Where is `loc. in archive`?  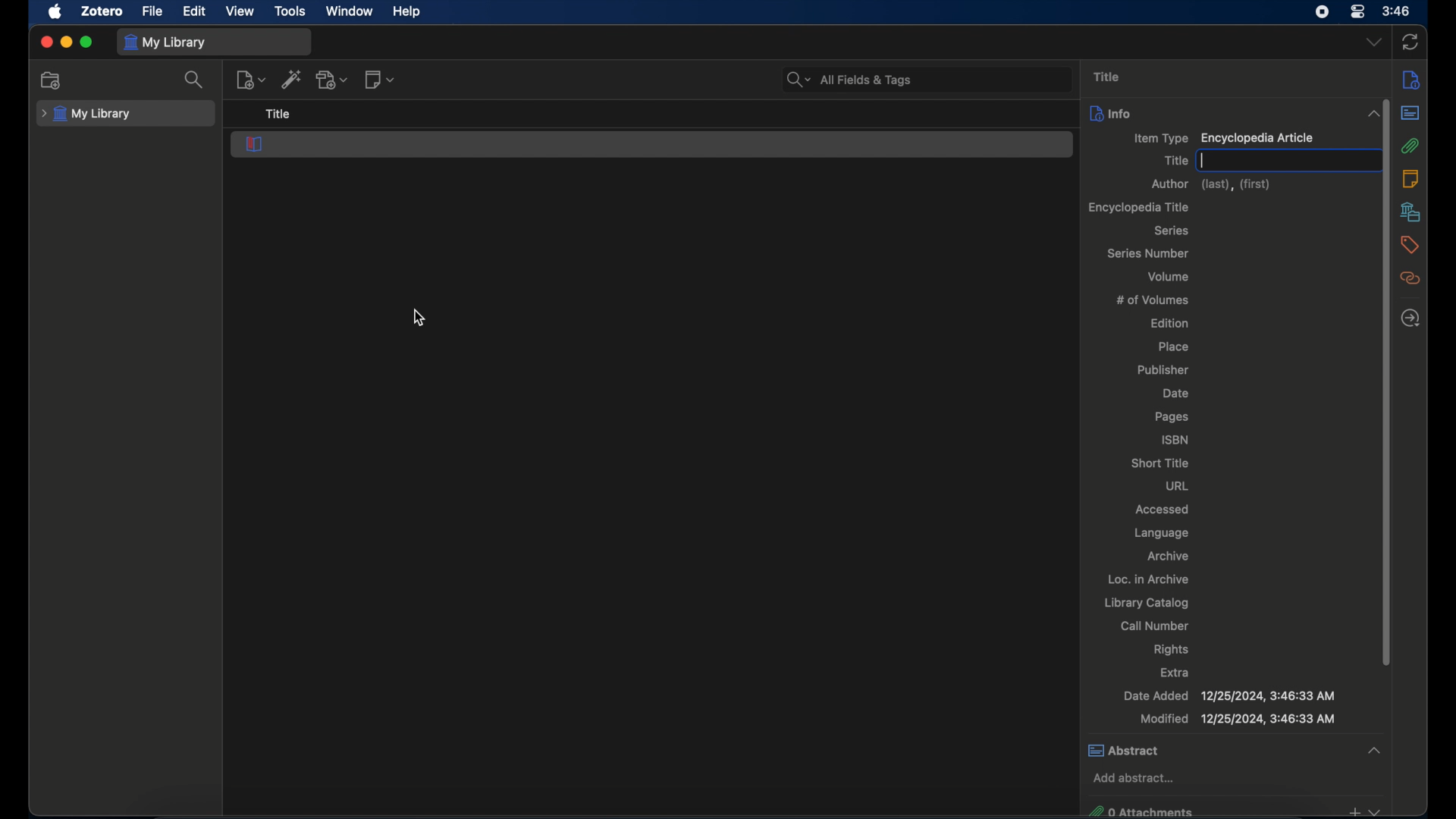 loc. in archive is located at coordinates (1148, 579).